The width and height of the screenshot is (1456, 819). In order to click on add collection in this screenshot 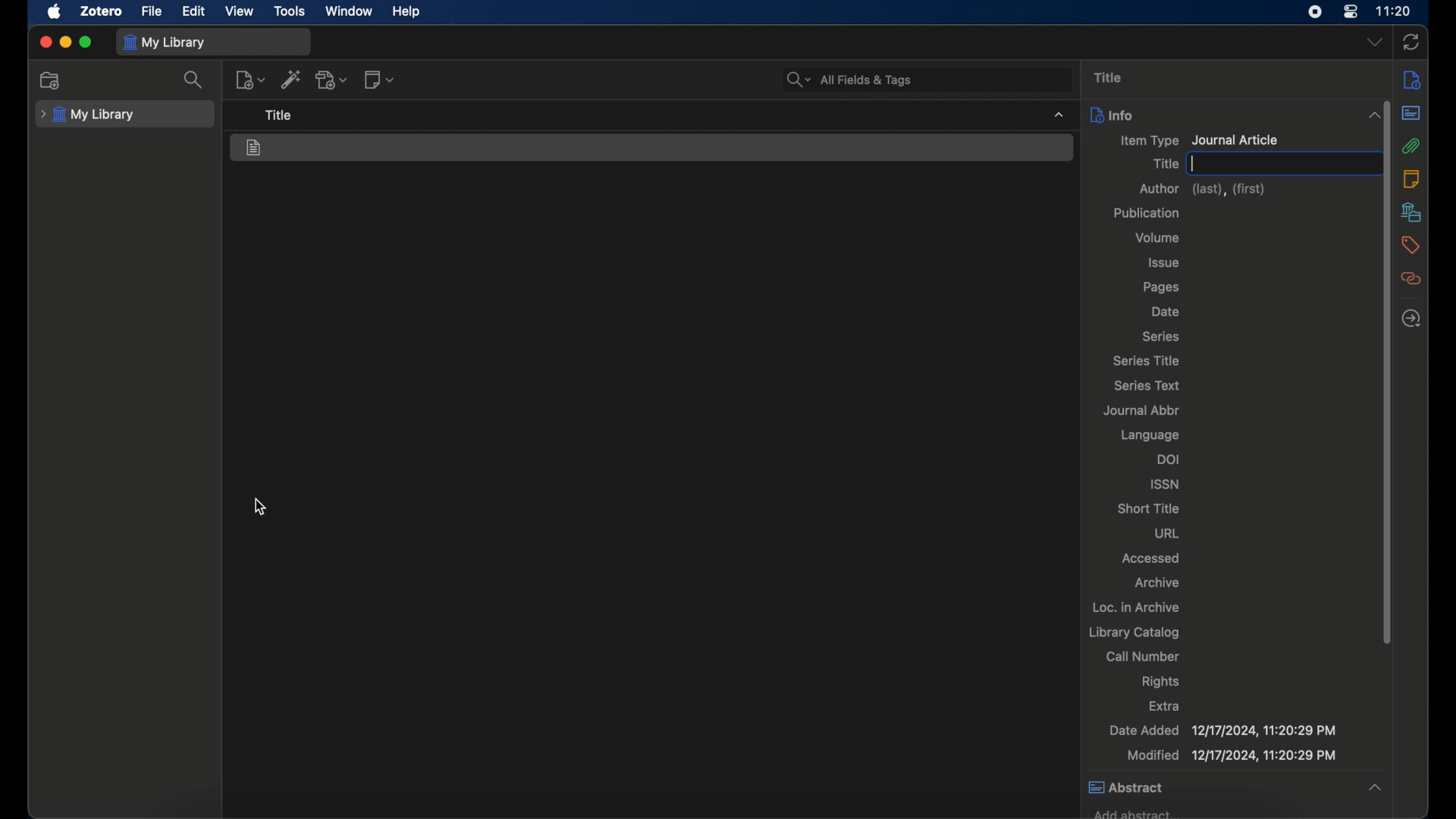, I will do `click(51, 81)`.